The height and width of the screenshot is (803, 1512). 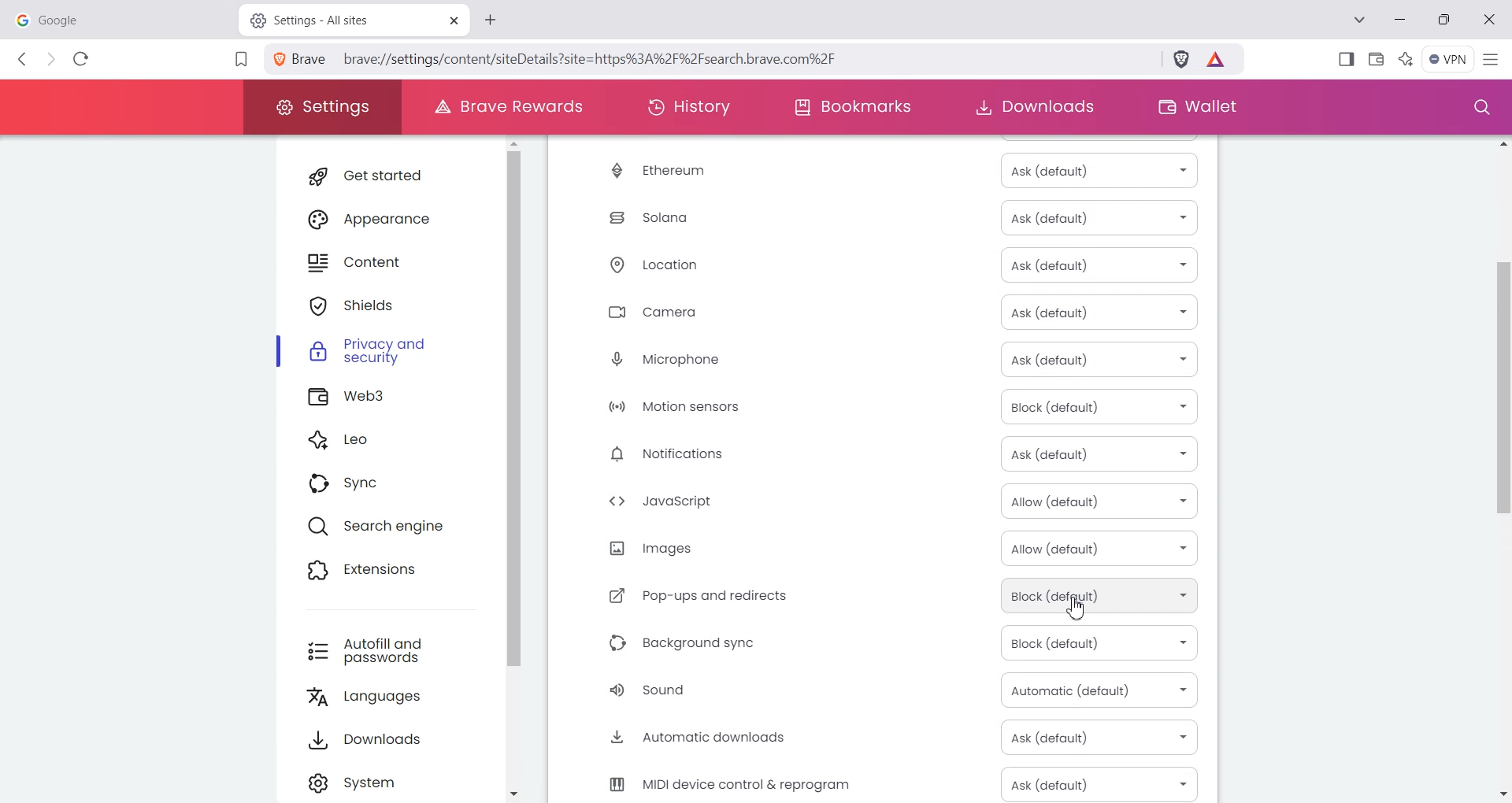 I want to click on Solana Ask (Default), so click(x=883, y=216).